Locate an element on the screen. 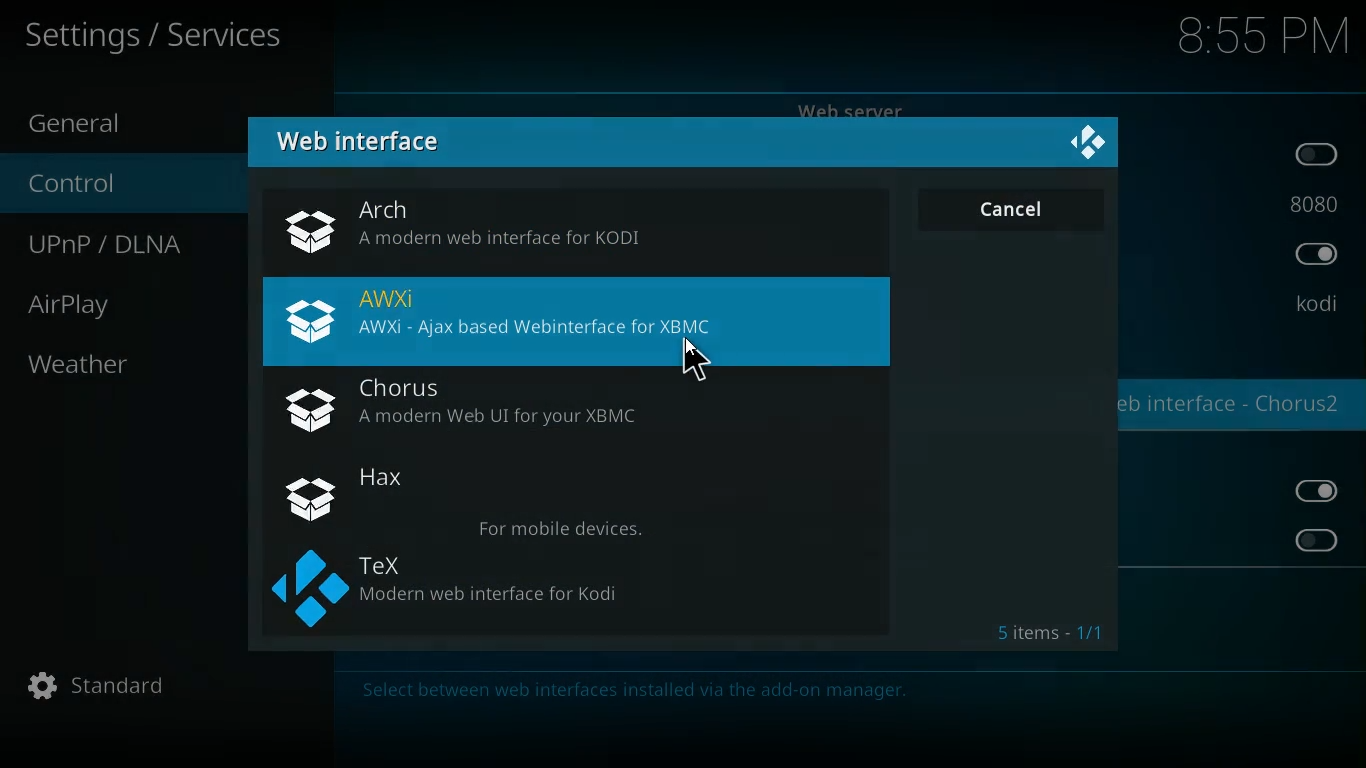 This screenshot has height=768, width=1366. arch is located at coordinates (580, 230).